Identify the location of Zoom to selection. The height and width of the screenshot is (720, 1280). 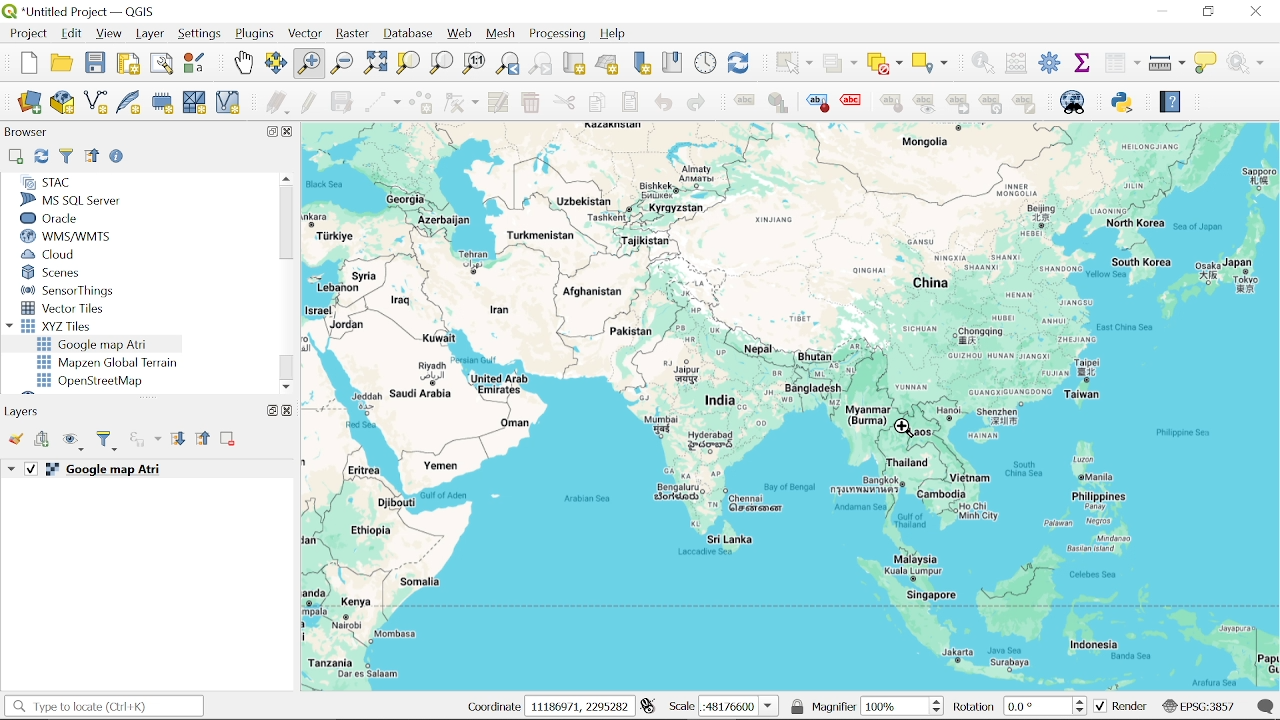
(407, 62).